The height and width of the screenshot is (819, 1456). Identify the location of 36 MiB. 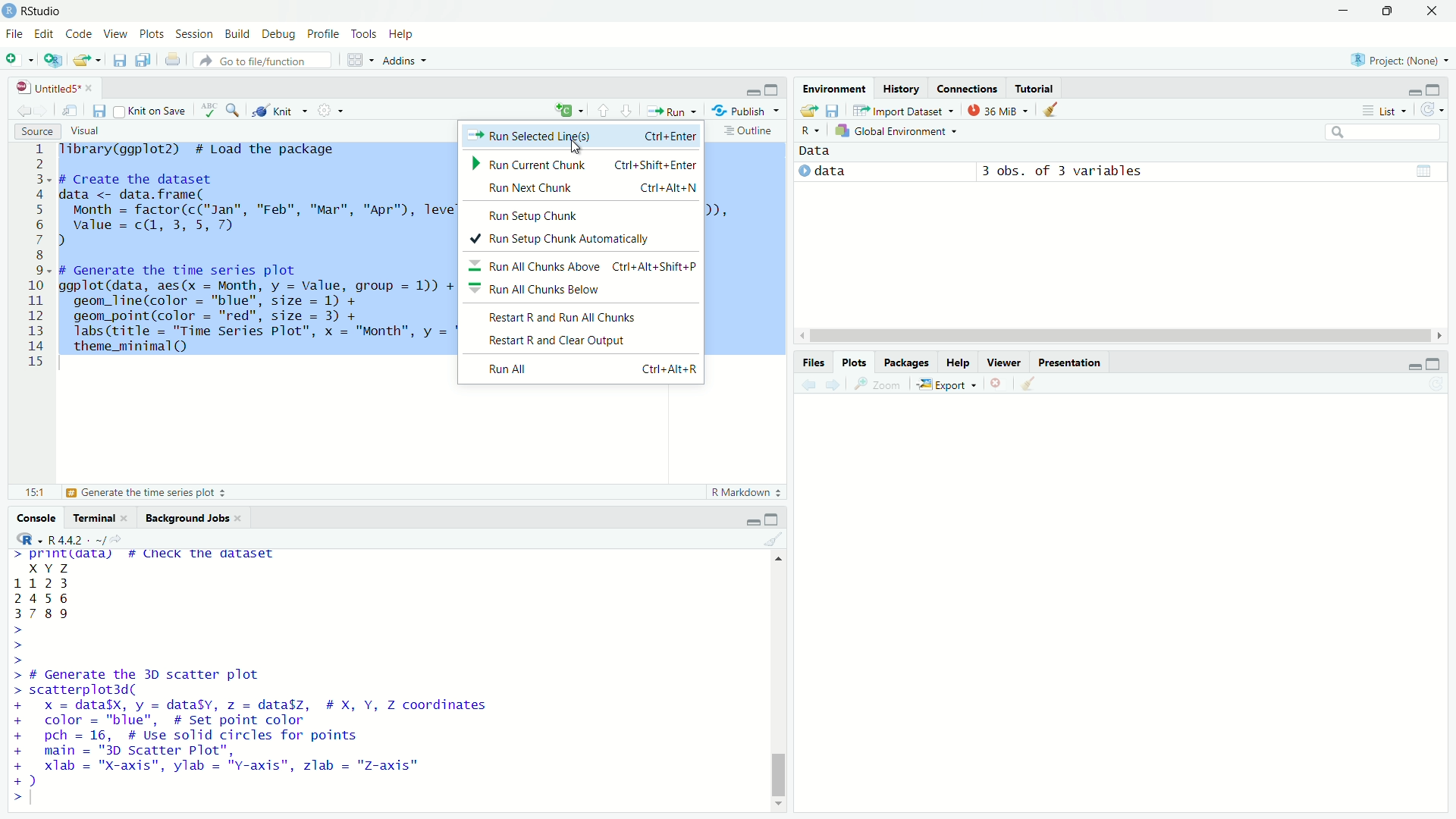
(996, 110).